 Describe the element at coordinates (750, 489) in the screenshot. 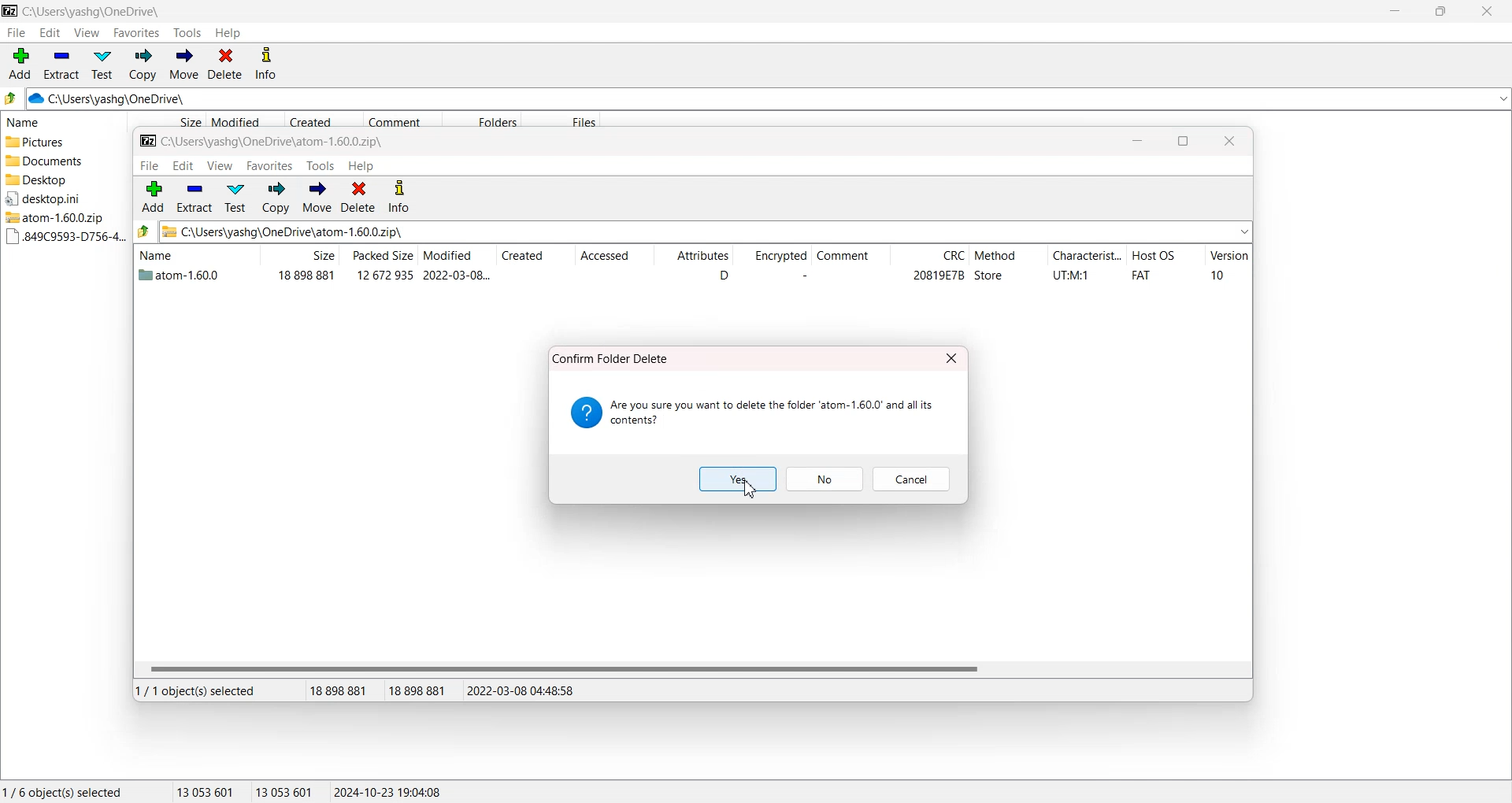

I see `Cursor` at that location.